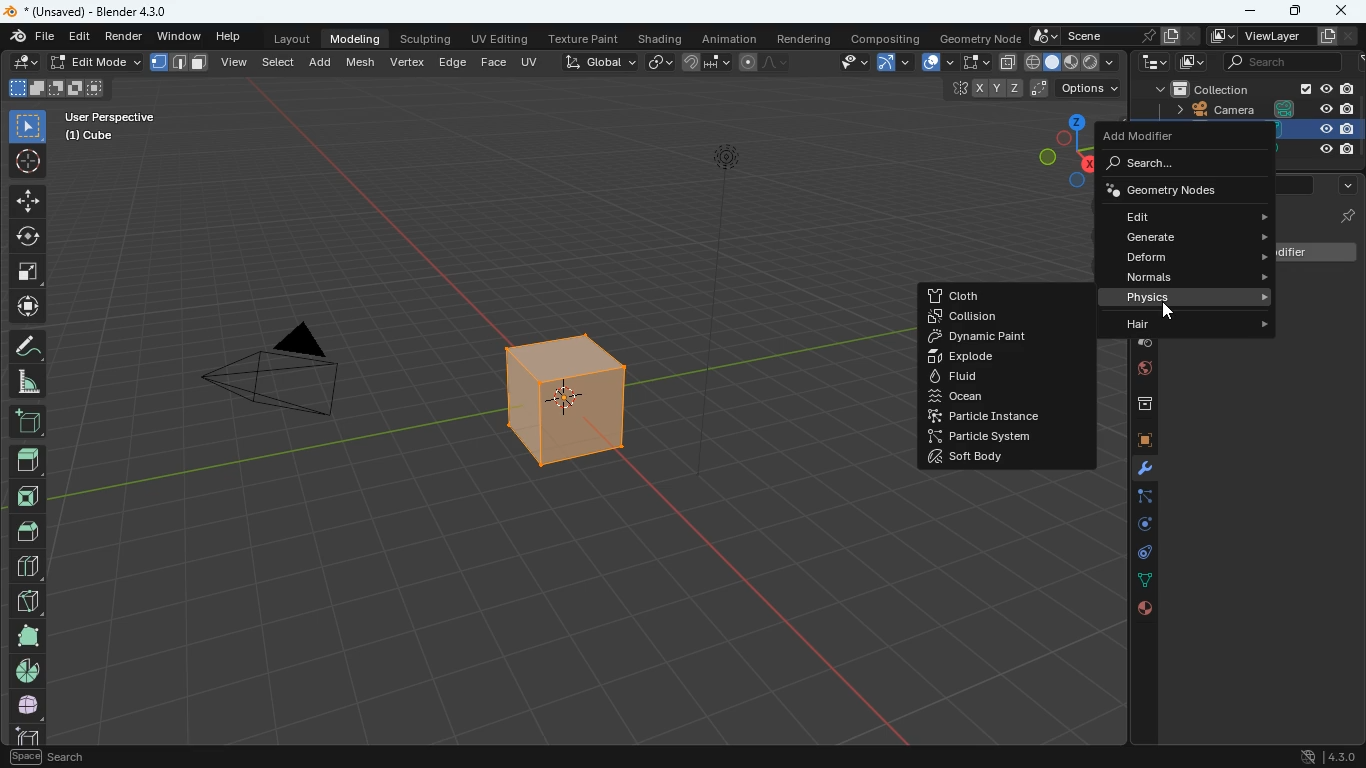 This screenshot has width=1366, height=768. Describe the element at coordinates (1329, 140) in the screenshot. I see `cube` at that location.